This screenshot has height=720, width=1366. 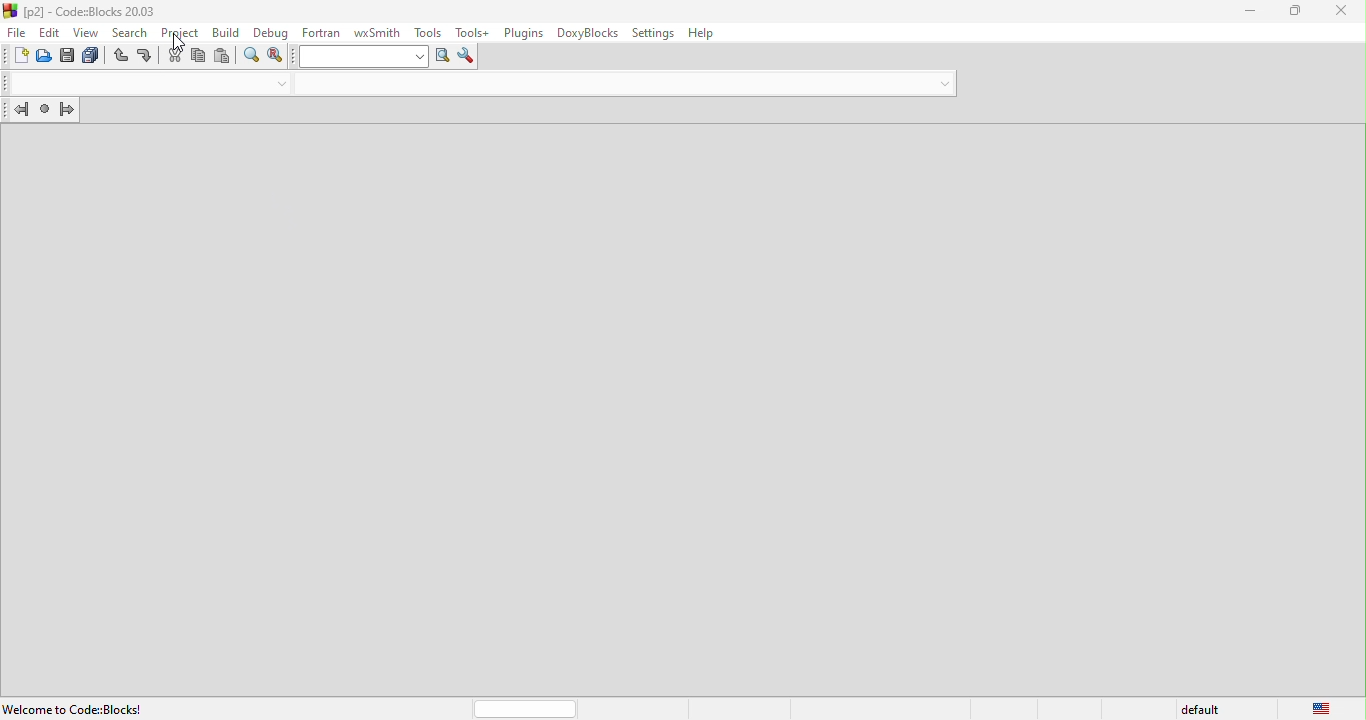 What do you see at coordinates (526, 710) in the screenshot?
I see `horizontal scroll bar` at bounding box center [526, 710].